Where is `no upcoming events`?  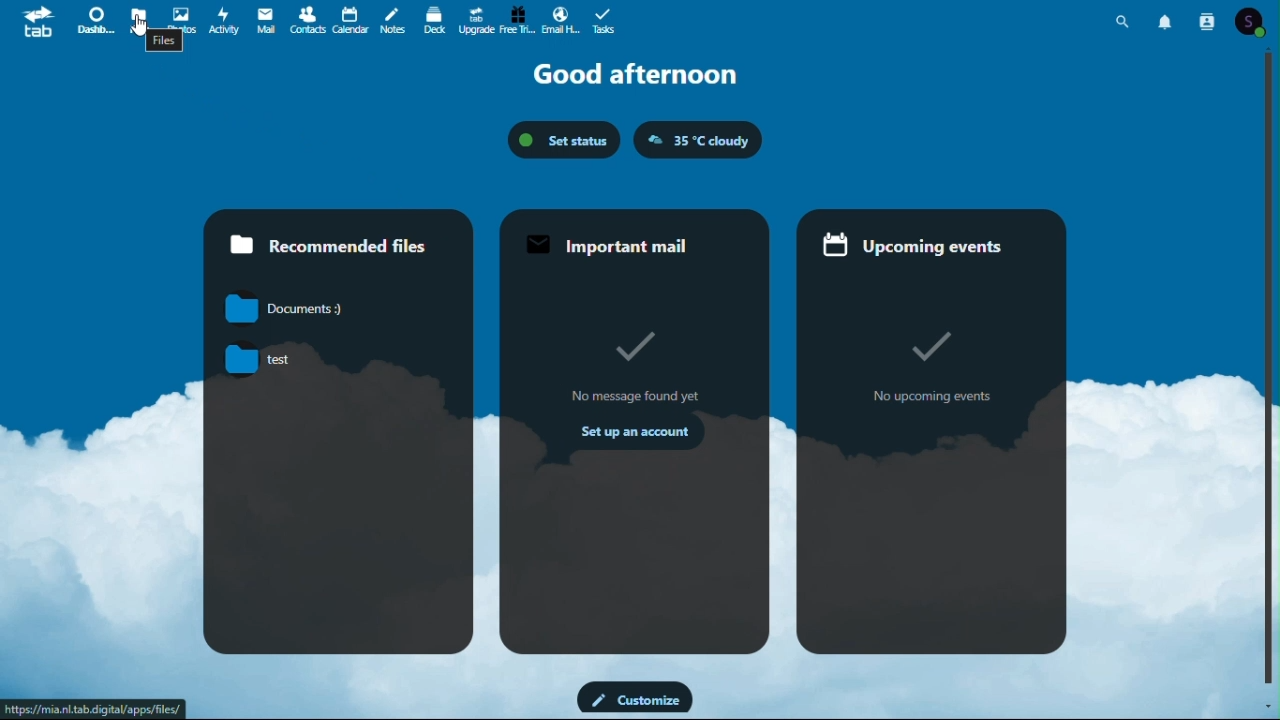
no upcoming events is located at coordinates (933, 372).